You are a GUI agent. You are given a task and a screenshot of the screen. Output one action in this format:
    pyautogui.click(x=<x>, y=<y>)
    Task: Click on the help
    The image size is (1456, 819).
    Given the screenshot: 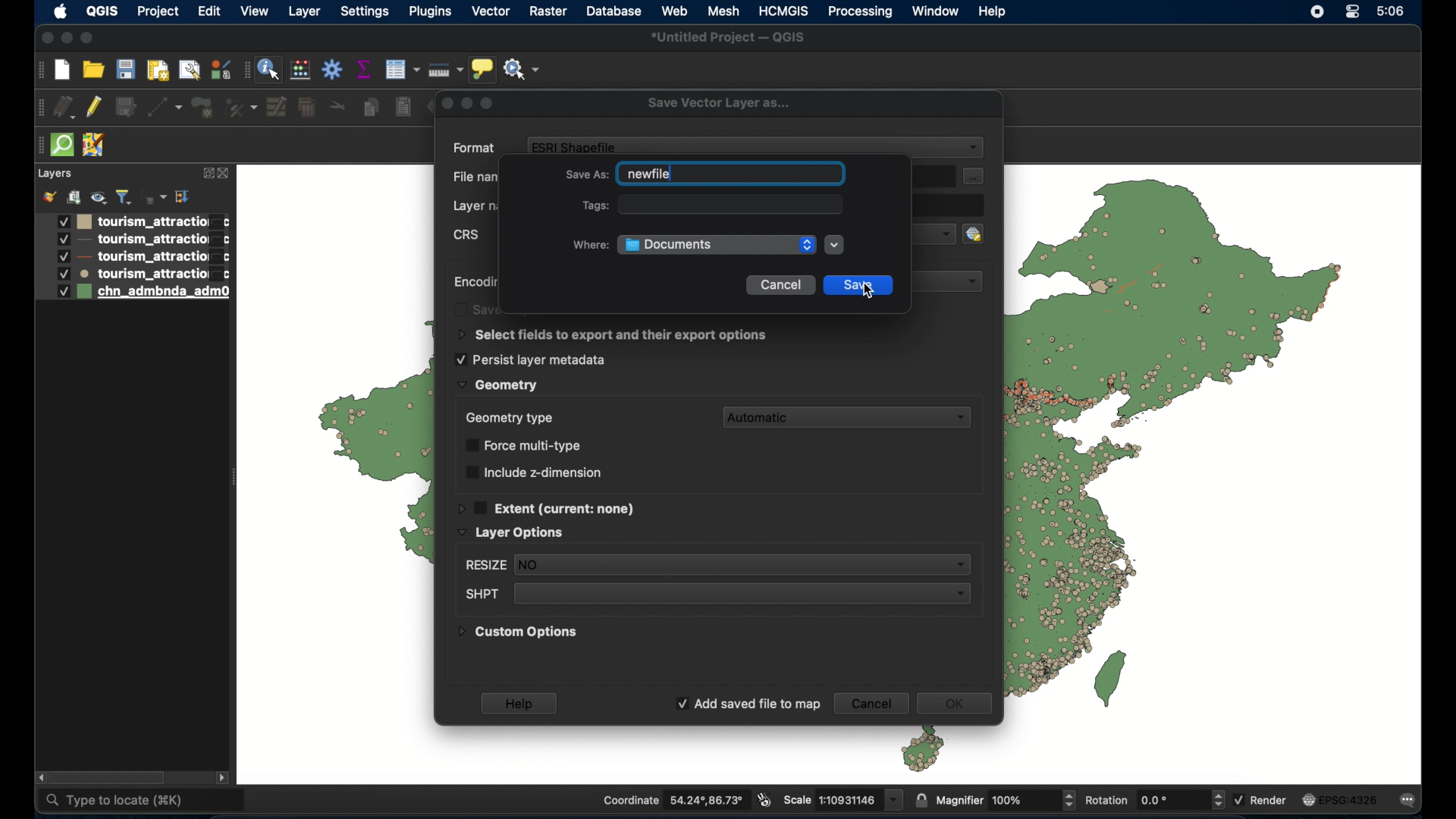 What is the action you would take?
    pyautogui.click(x=993, y=11)
    